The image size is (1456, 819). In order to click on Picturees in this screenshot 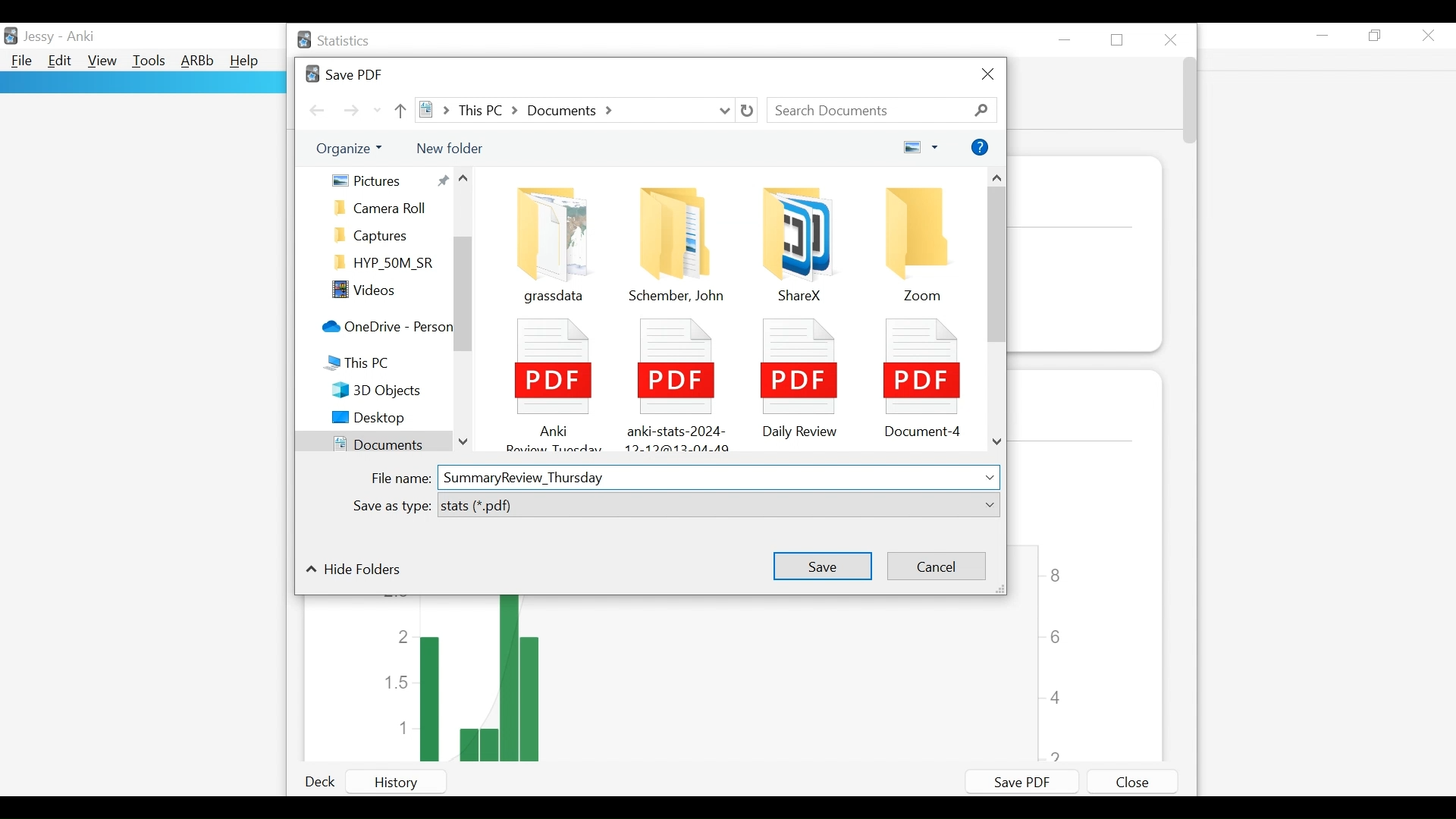, I will do `click(388, 180)`.